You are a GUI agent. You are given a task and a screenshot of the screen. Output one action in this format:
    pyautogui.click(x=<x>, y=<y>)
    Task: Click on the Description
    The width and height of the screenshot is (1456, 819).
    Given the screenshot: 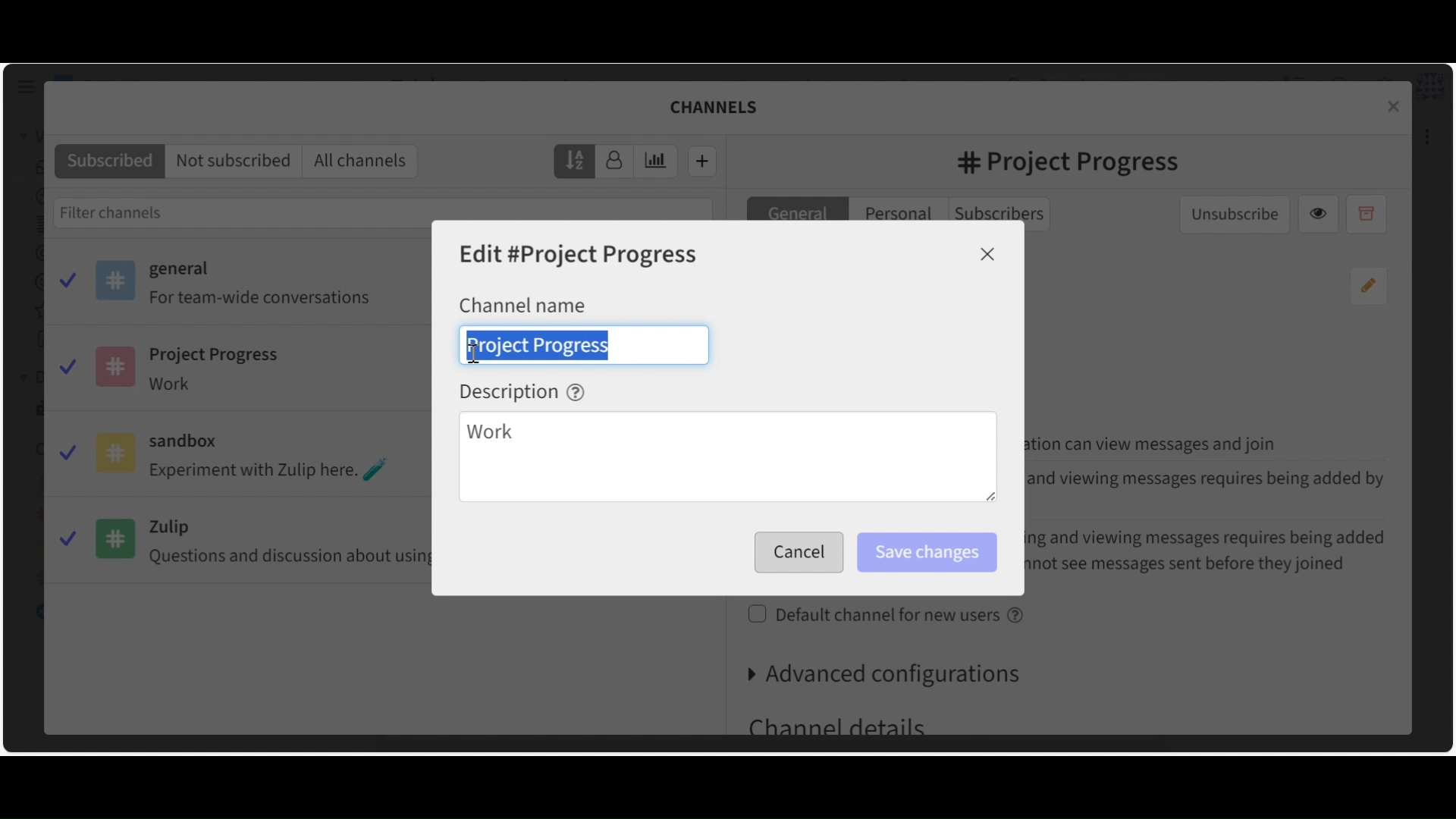 What is the action you would take?
    pyautogui.click(x=522, y=391)
    